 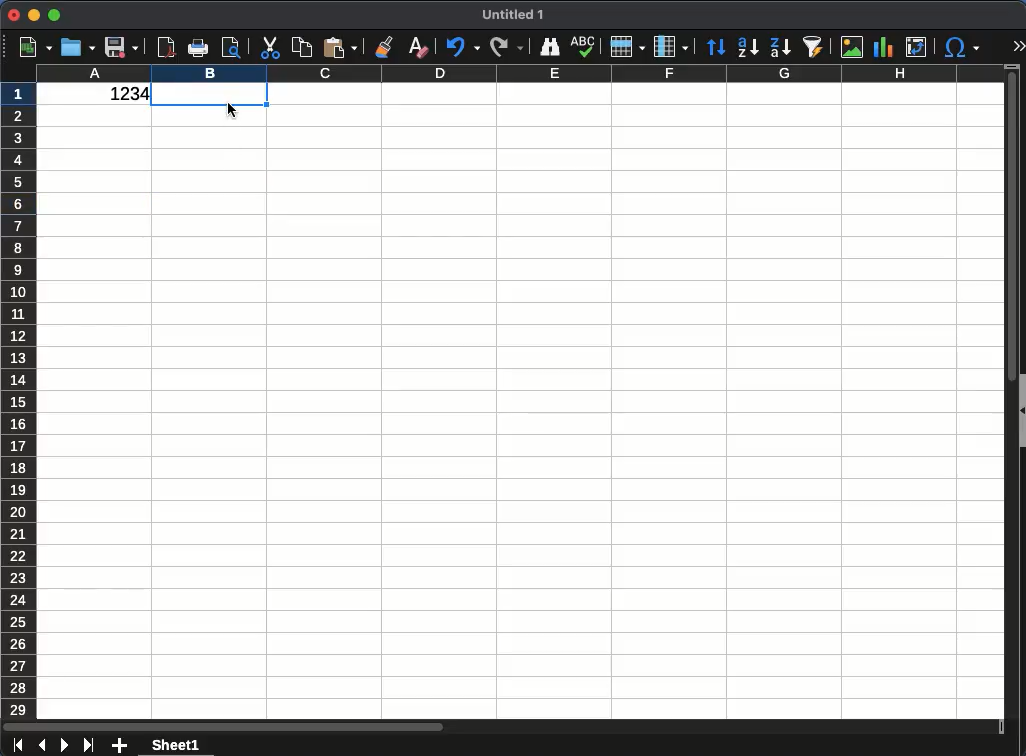 I want to click on save, so click(x=122, y=47).